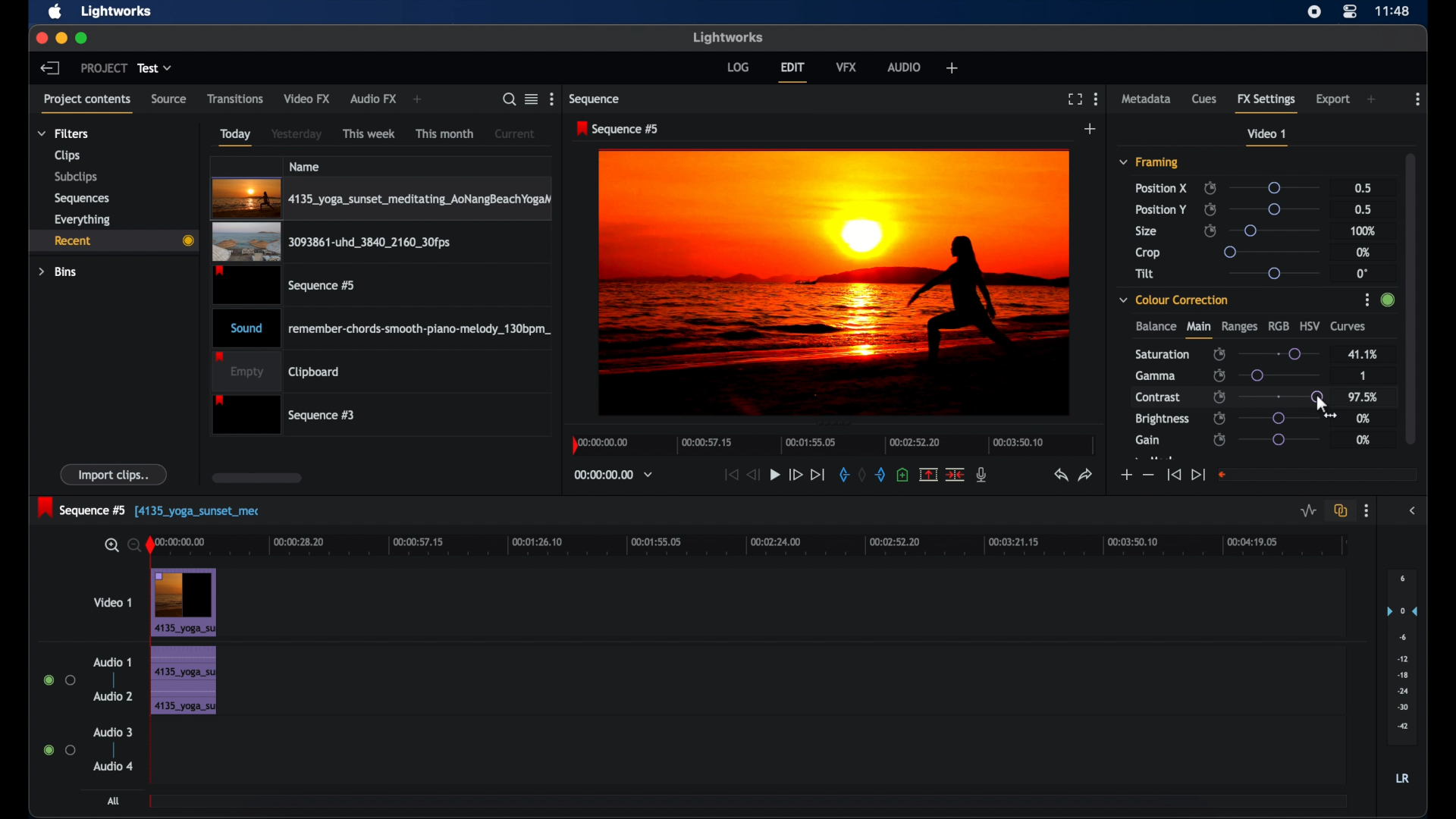 The width and height of the screenshot is (1456, 819). Describe the element at coordinates (1318, 397) in the screenshot. I see `slider` at that location.